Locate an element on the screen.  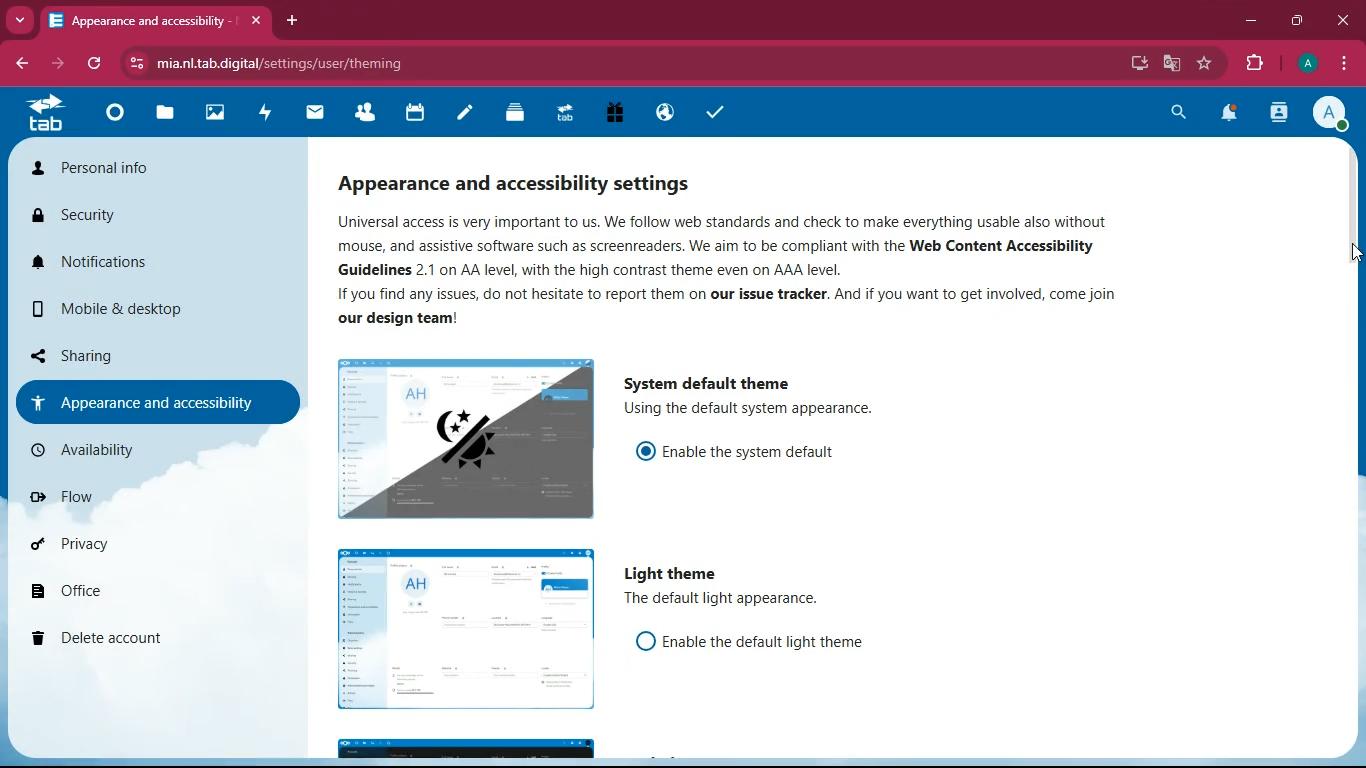
security is located at coordinates (136, 216).